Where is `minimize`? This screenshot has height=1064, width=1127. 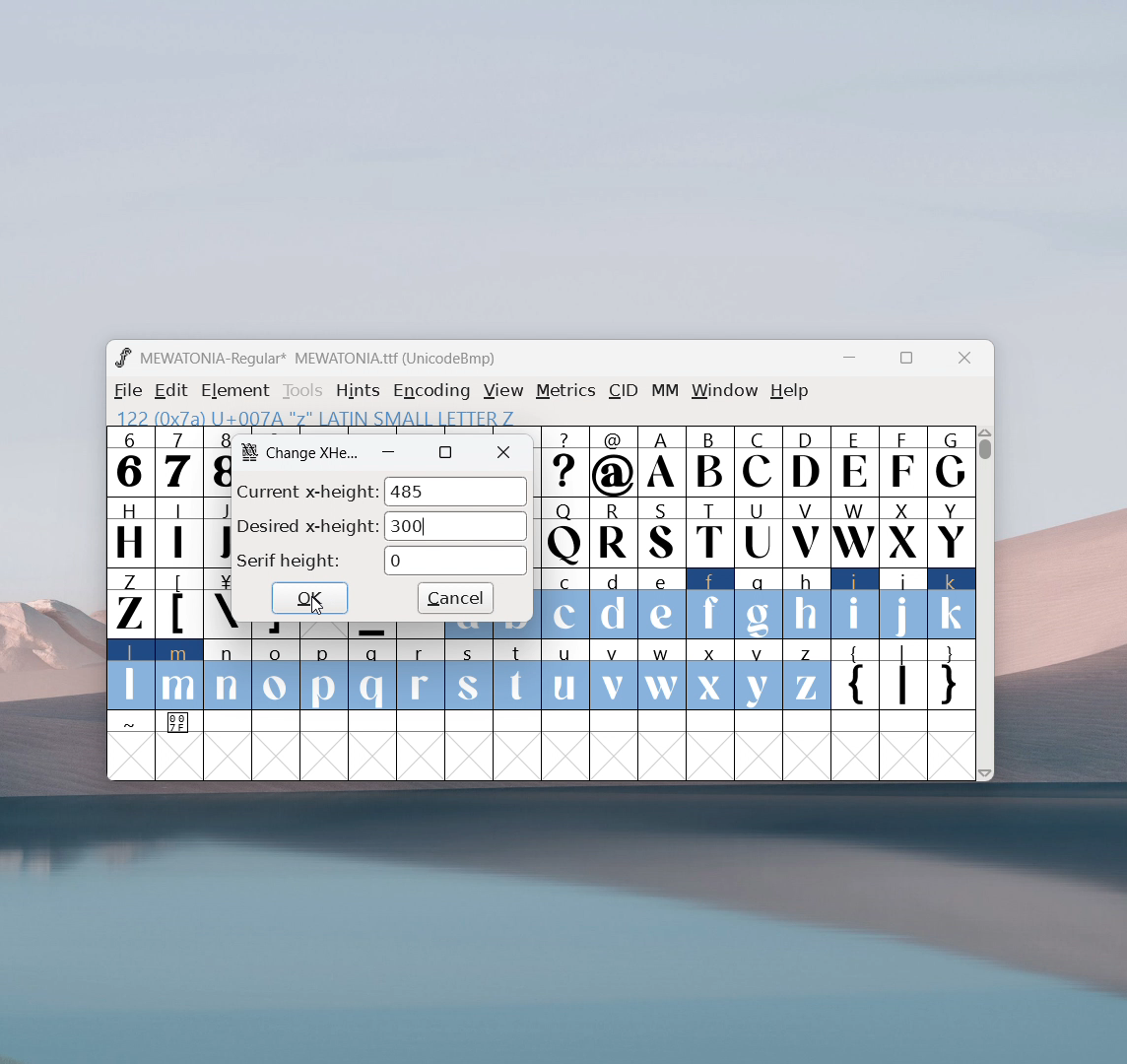
minimize is located at coordinates (856, 361).